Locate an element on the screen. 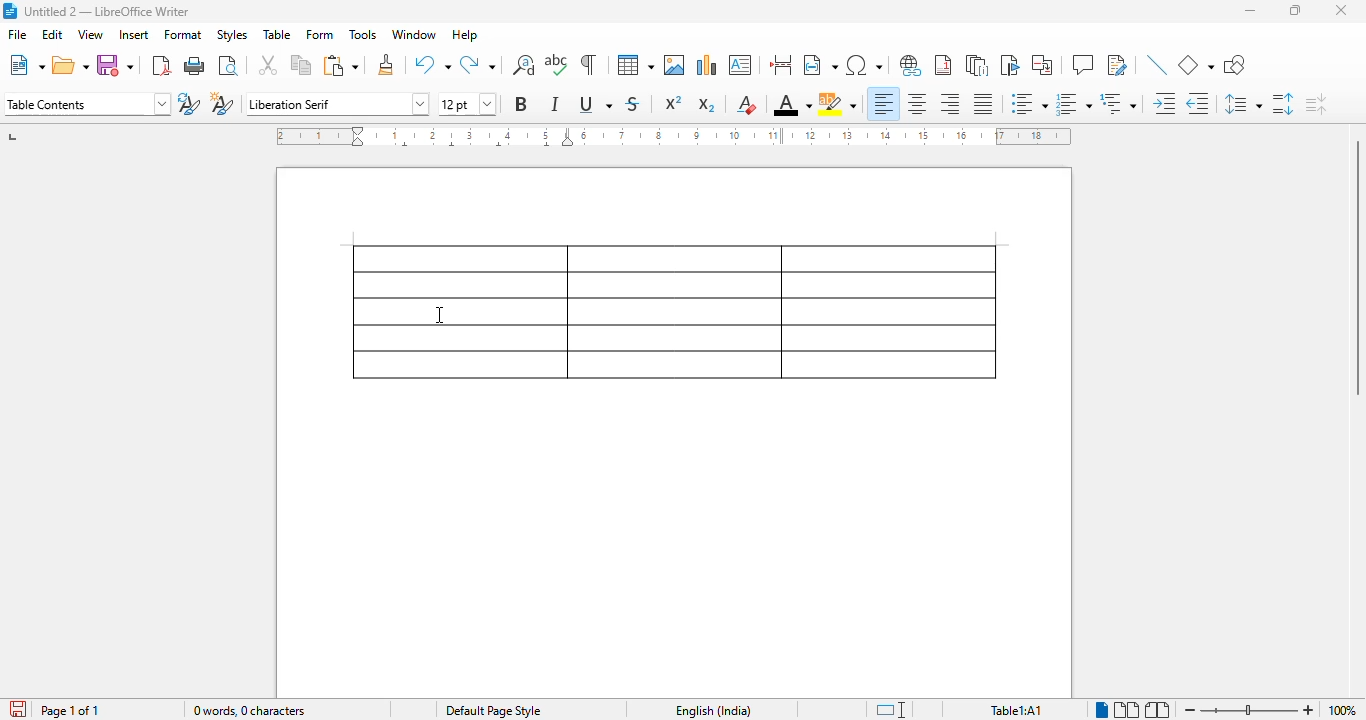  vertical scroll bar is located at coordinates (1354, 265).